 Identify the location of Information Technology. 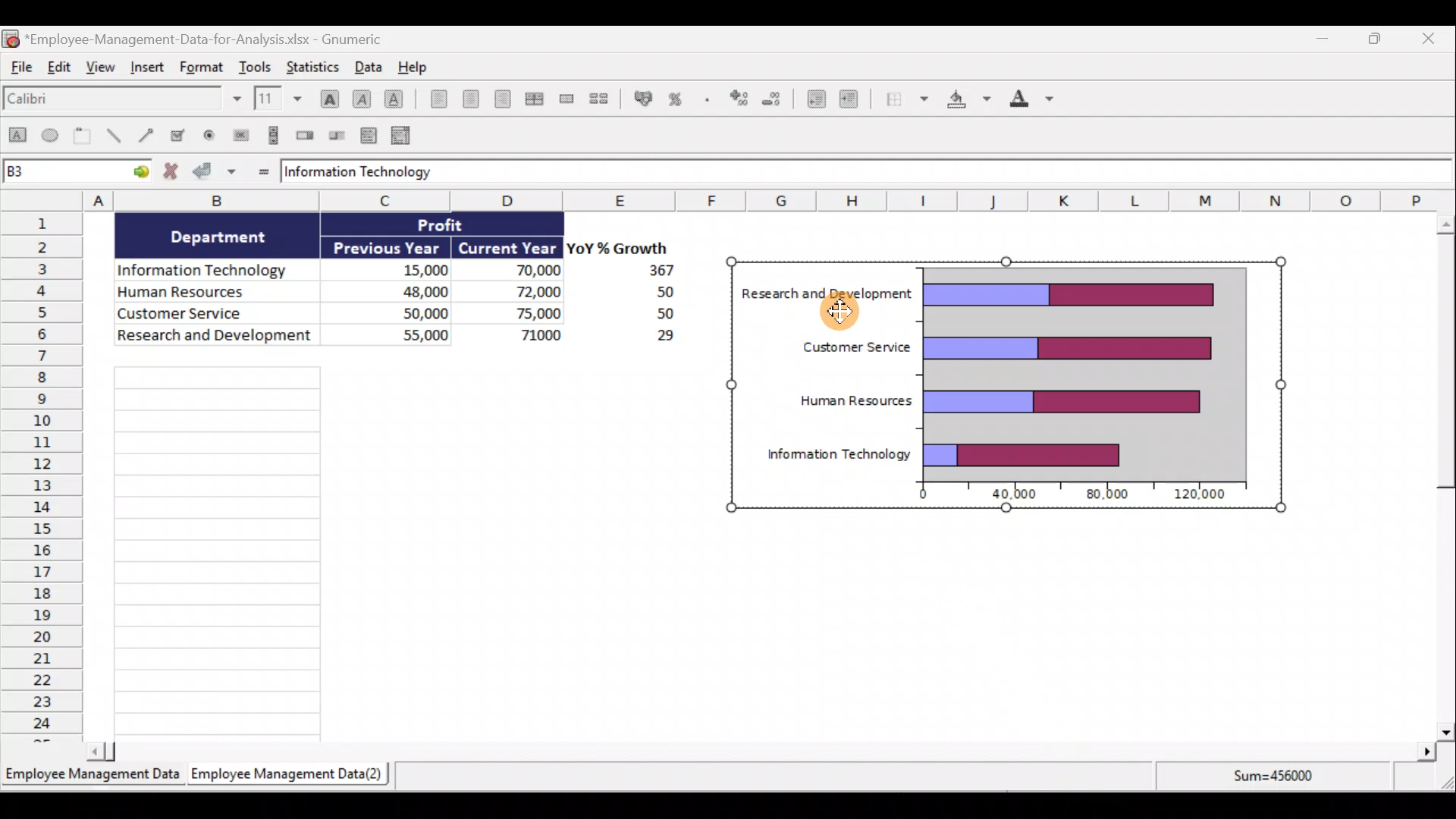
(209, 266).